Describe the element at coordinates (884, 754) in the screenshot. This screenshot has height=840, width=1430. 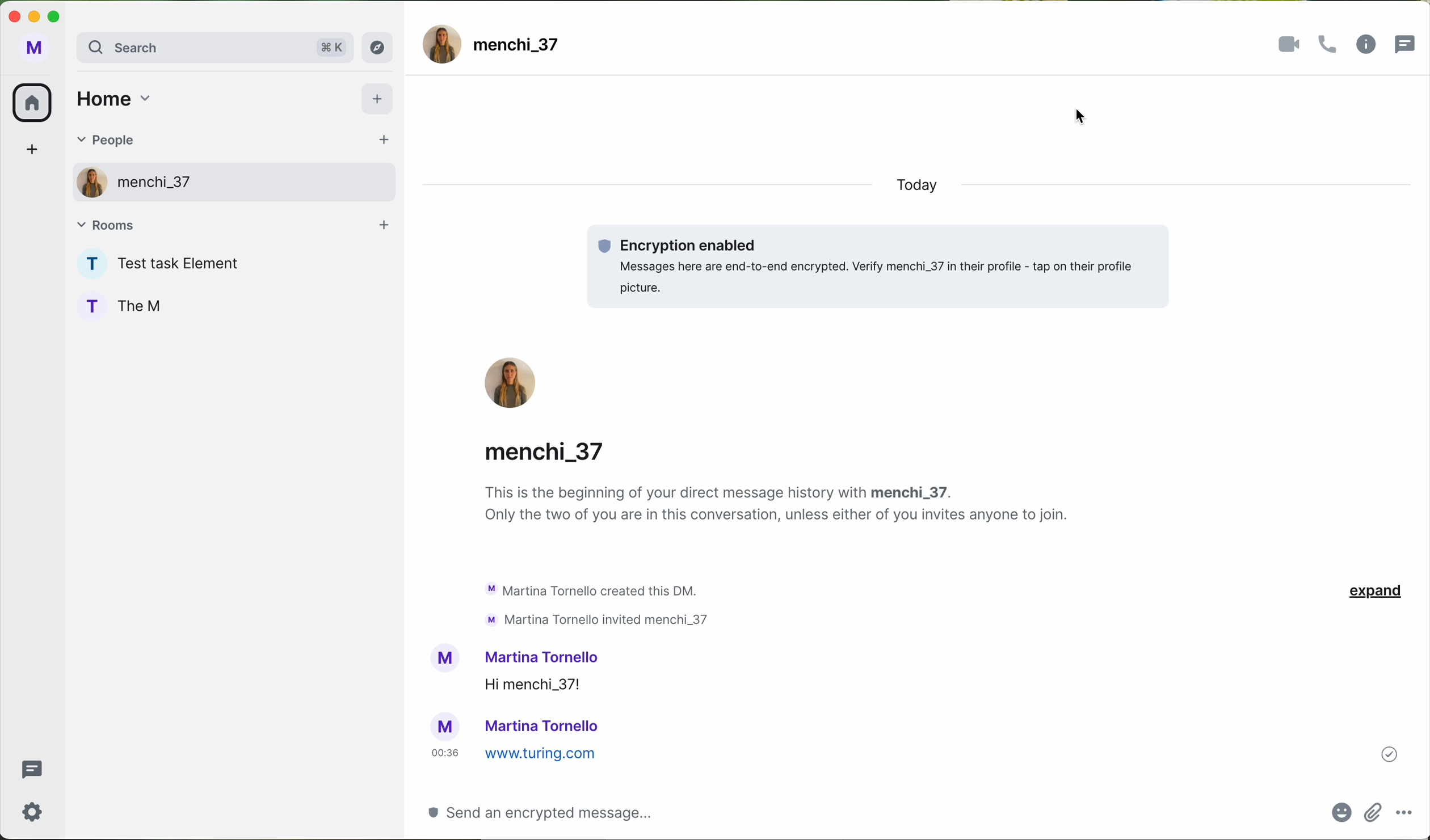
I see `shared link` at that location.